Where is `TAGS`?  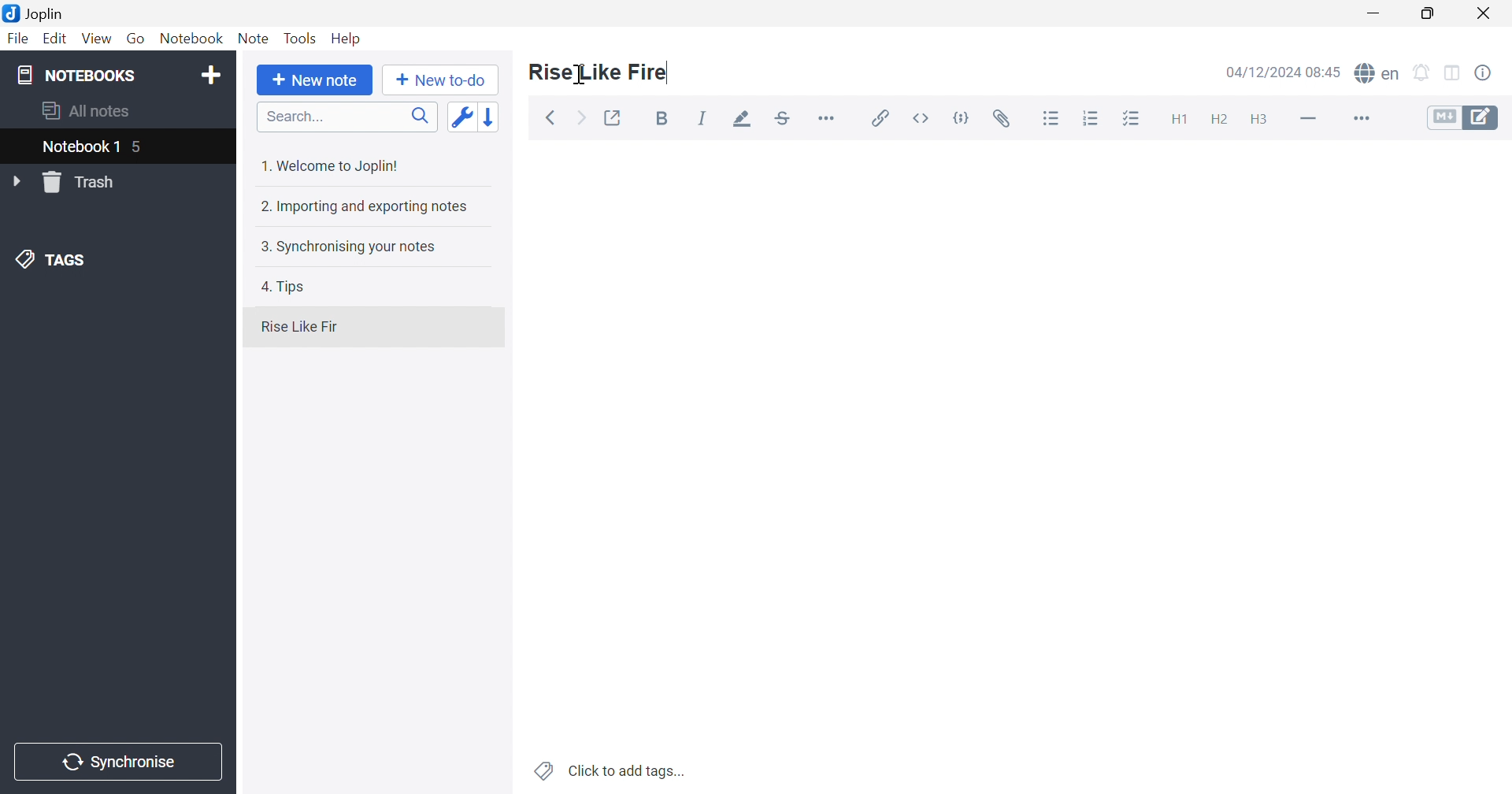 TAGS is located at coordinates (56, 261).